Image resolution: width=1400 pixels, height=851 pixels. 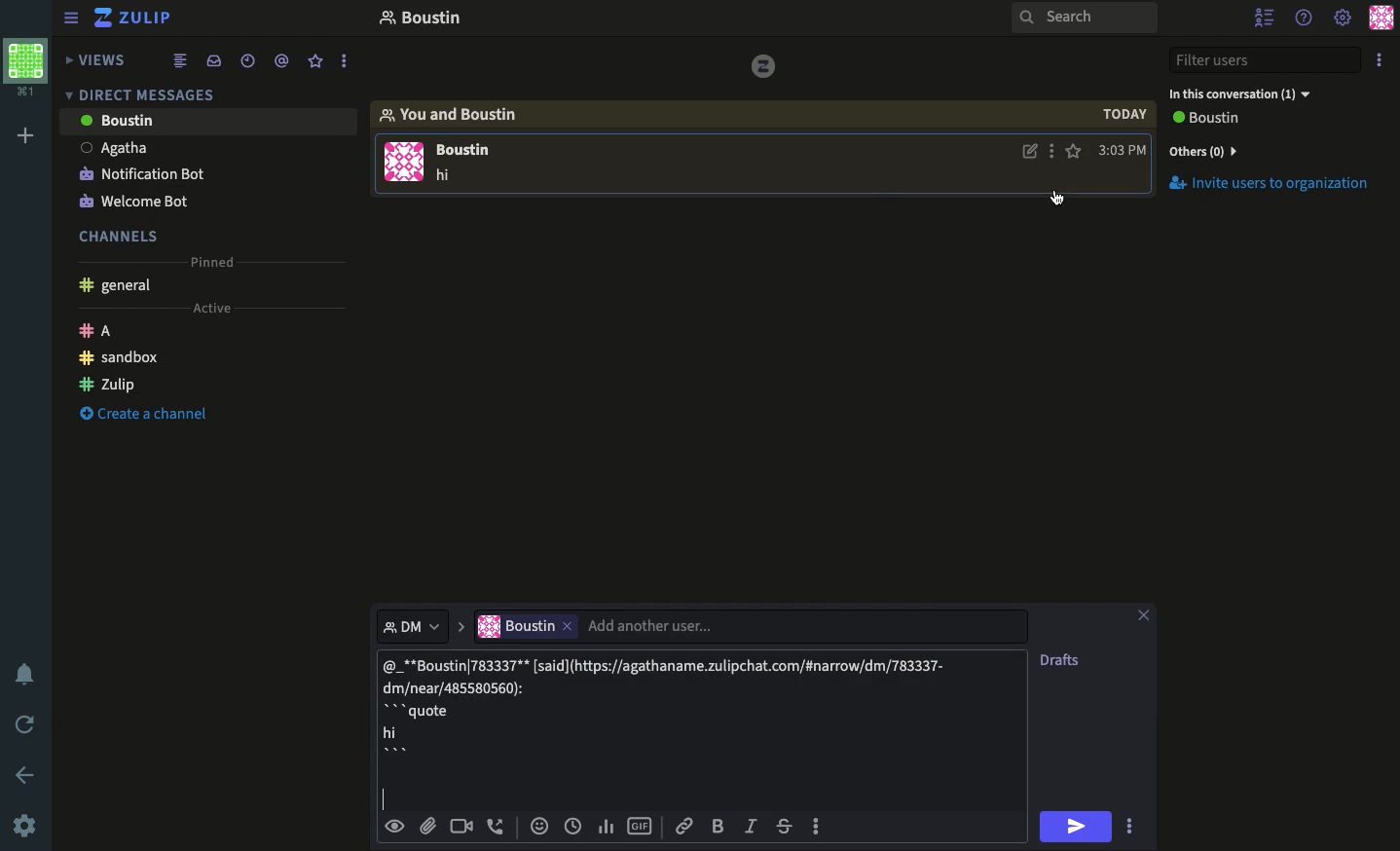 I want to click on Video, so click(x=461, y=827).